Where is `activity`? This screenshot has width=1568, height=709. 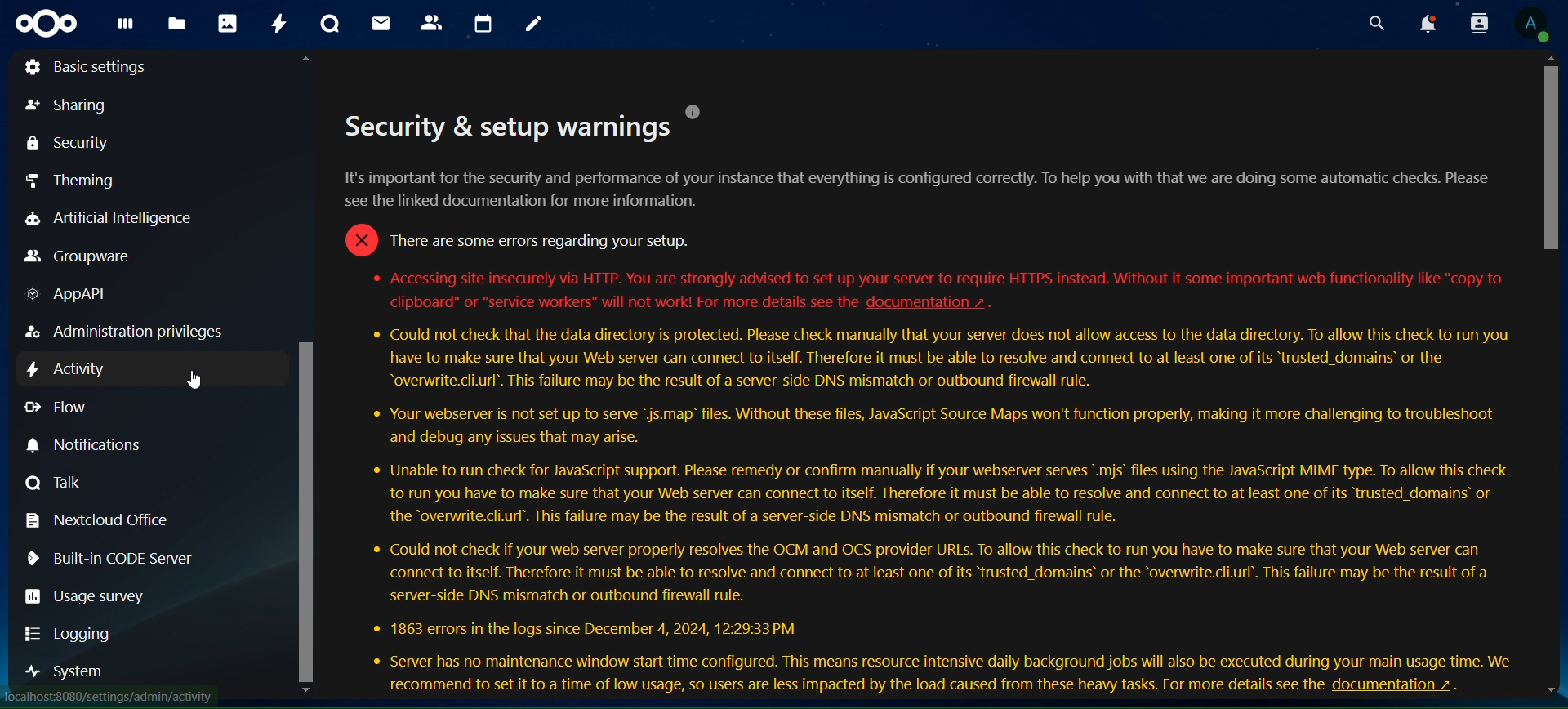
activity is located at coordinates (68, 370).